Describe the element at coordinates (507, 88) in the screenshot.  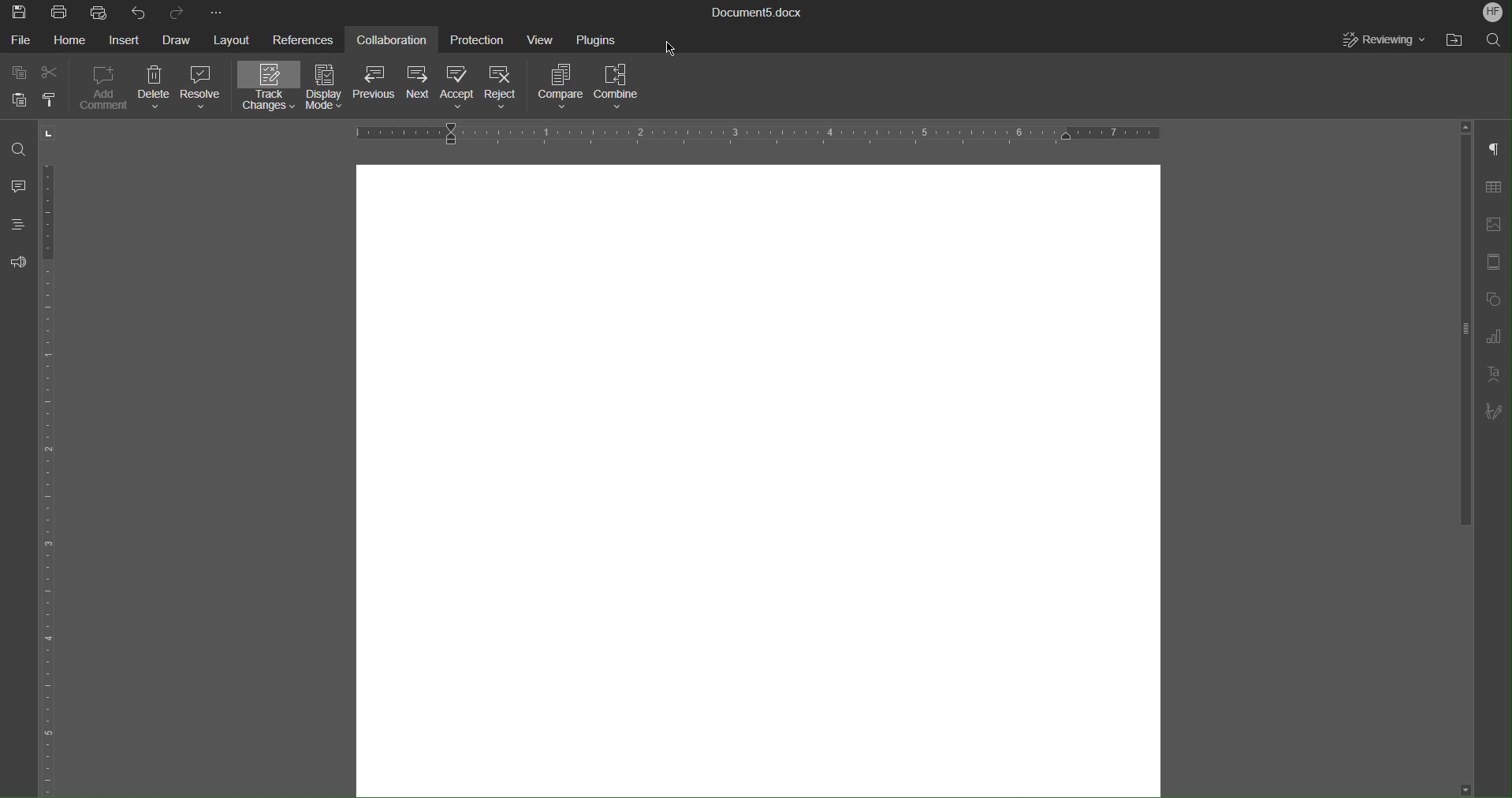
I see `Reject` at that location.